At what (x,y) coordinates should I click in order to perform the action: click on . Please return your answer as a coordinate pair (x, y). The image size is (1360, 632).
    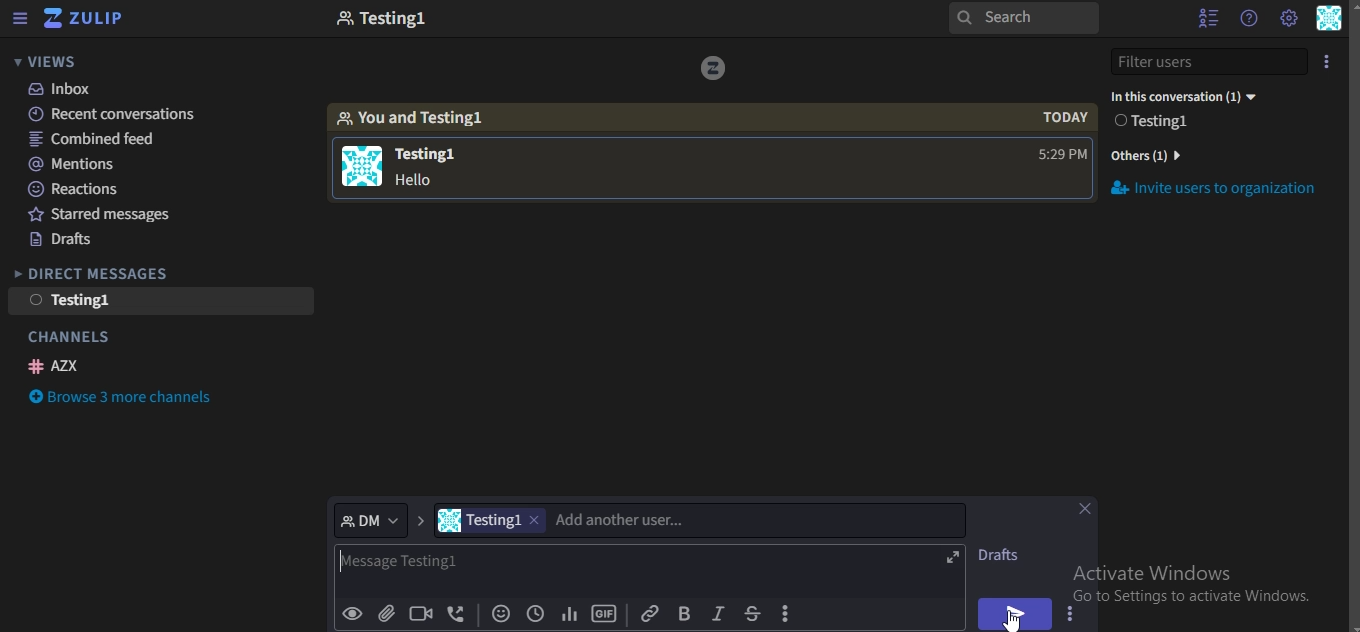
    Looking at the image, I should click on (1074, 613).